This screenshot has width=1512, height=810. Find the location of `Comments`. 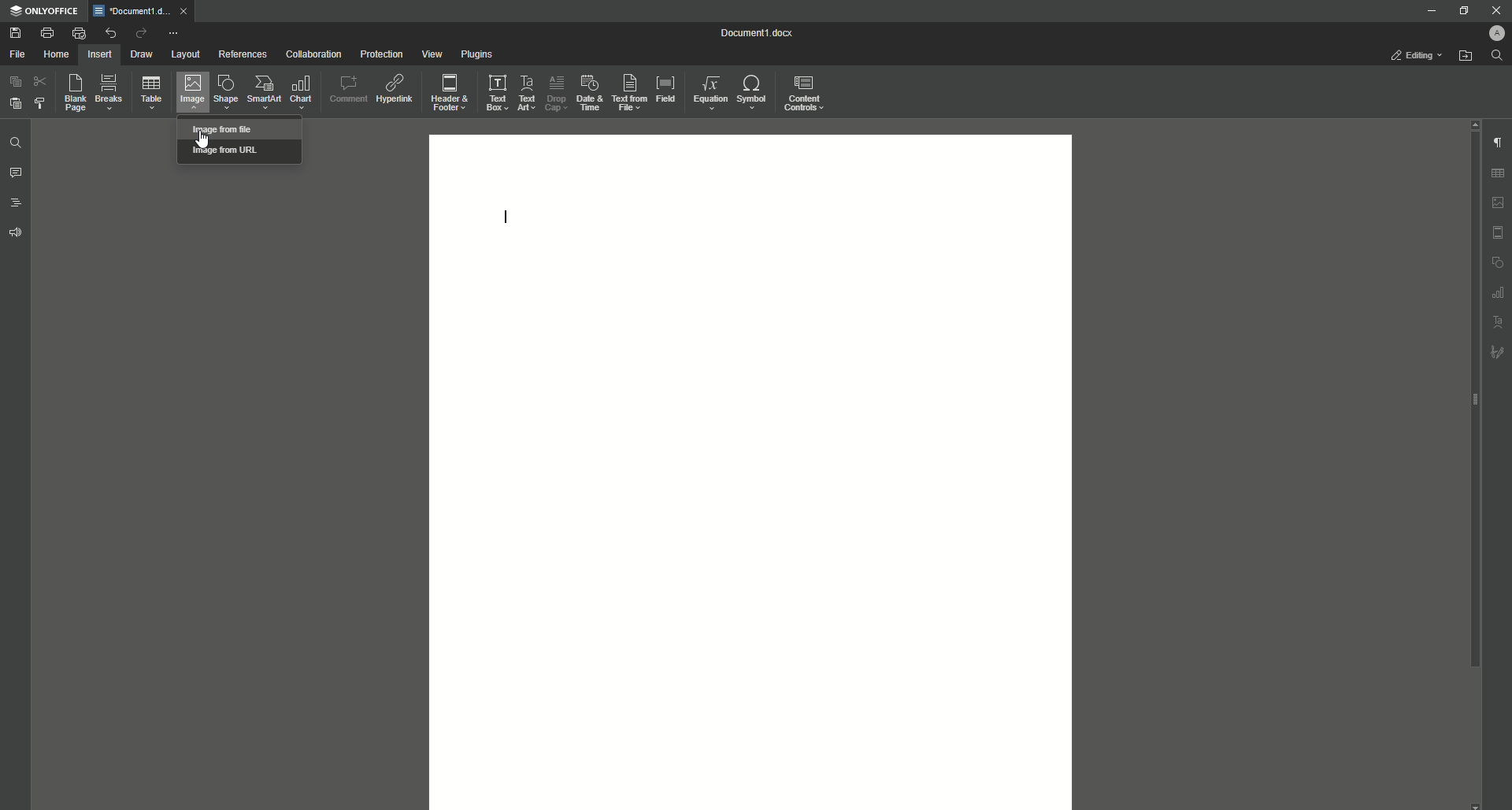

Comments is located at coordinates (18, 174).